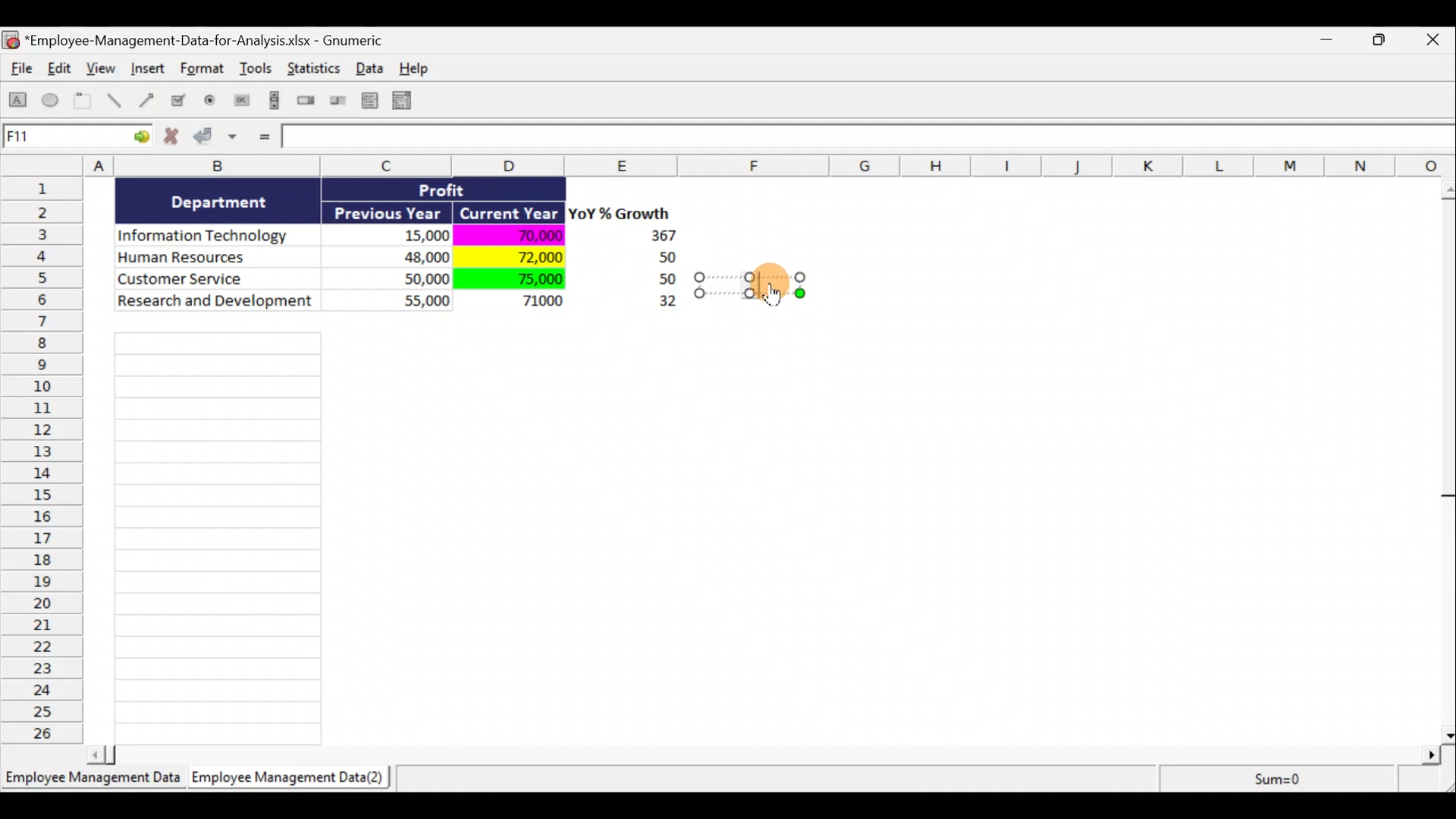 The image size is (1456, 819). I want to click on Sheet 2, so click(292, 781).